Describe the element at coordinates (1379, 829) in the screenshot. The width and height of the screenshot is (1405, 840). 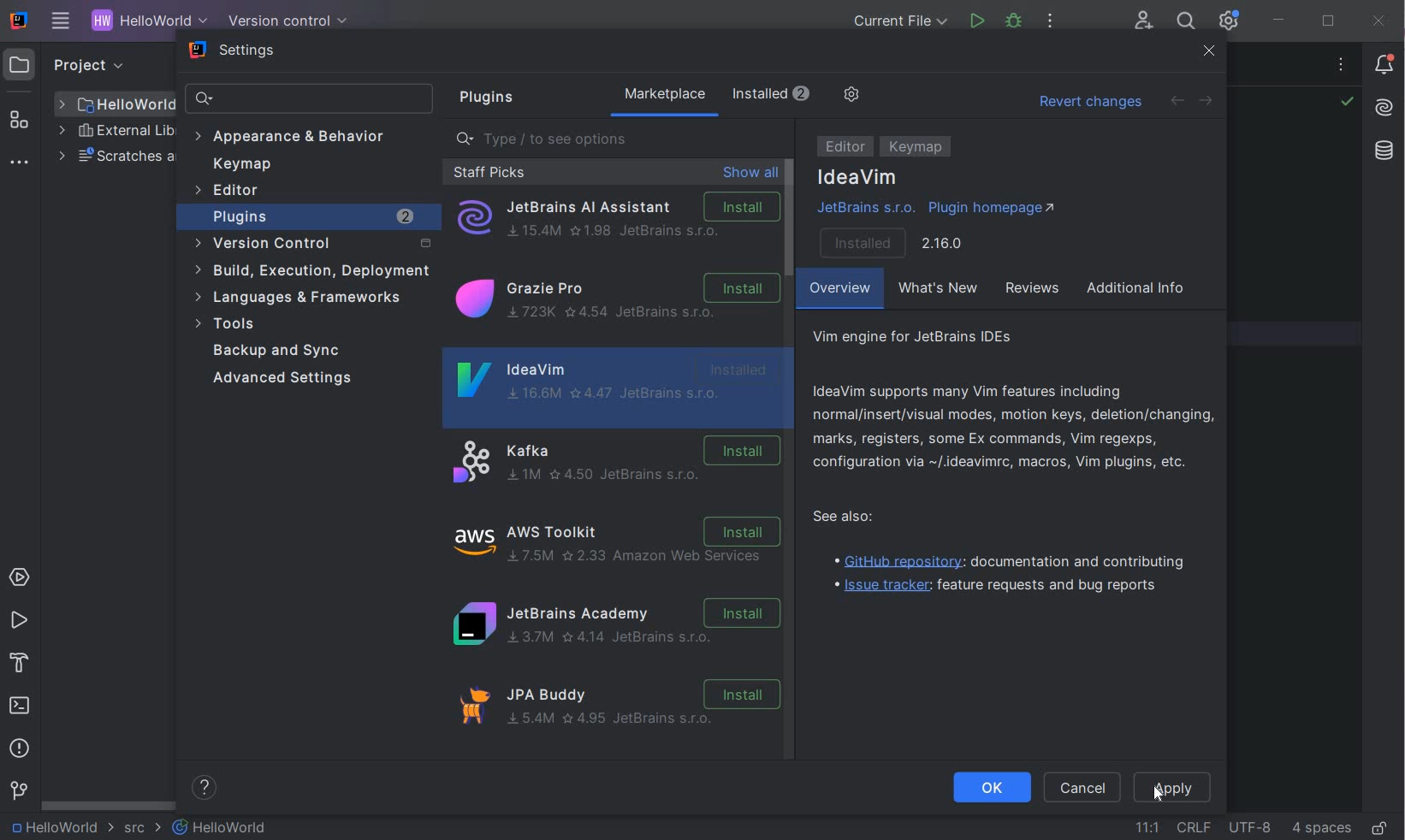
I see `MAKE FILE READY ONLY` at that location.